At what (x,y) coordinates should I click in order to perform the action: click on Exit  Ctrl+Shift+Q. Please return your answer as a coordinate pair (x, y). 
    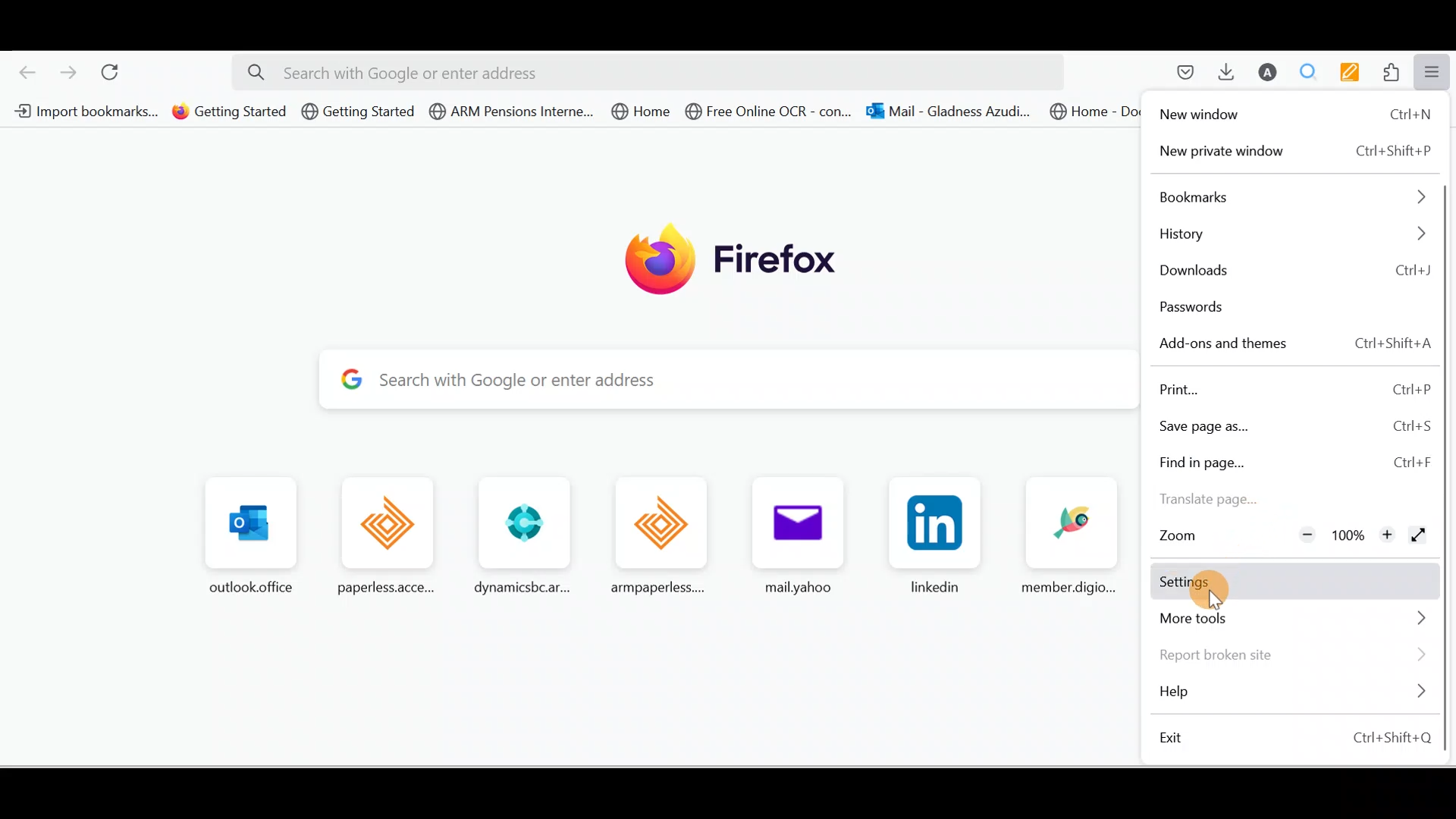
    Looking at the image, I should click on (1298, 738).